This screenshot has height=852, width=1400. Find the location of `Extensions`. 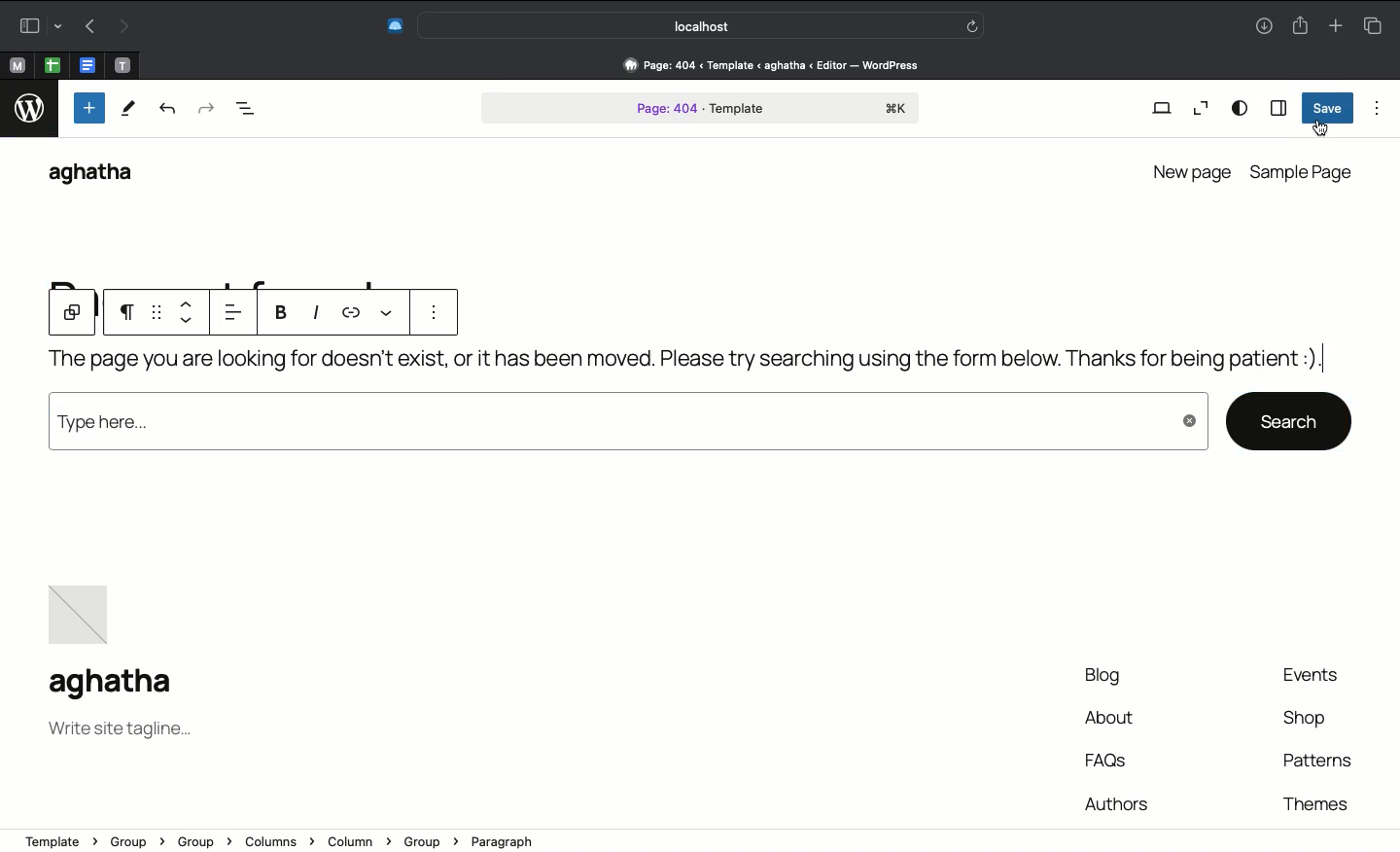

Extensions is located at coordinates (393, 27).